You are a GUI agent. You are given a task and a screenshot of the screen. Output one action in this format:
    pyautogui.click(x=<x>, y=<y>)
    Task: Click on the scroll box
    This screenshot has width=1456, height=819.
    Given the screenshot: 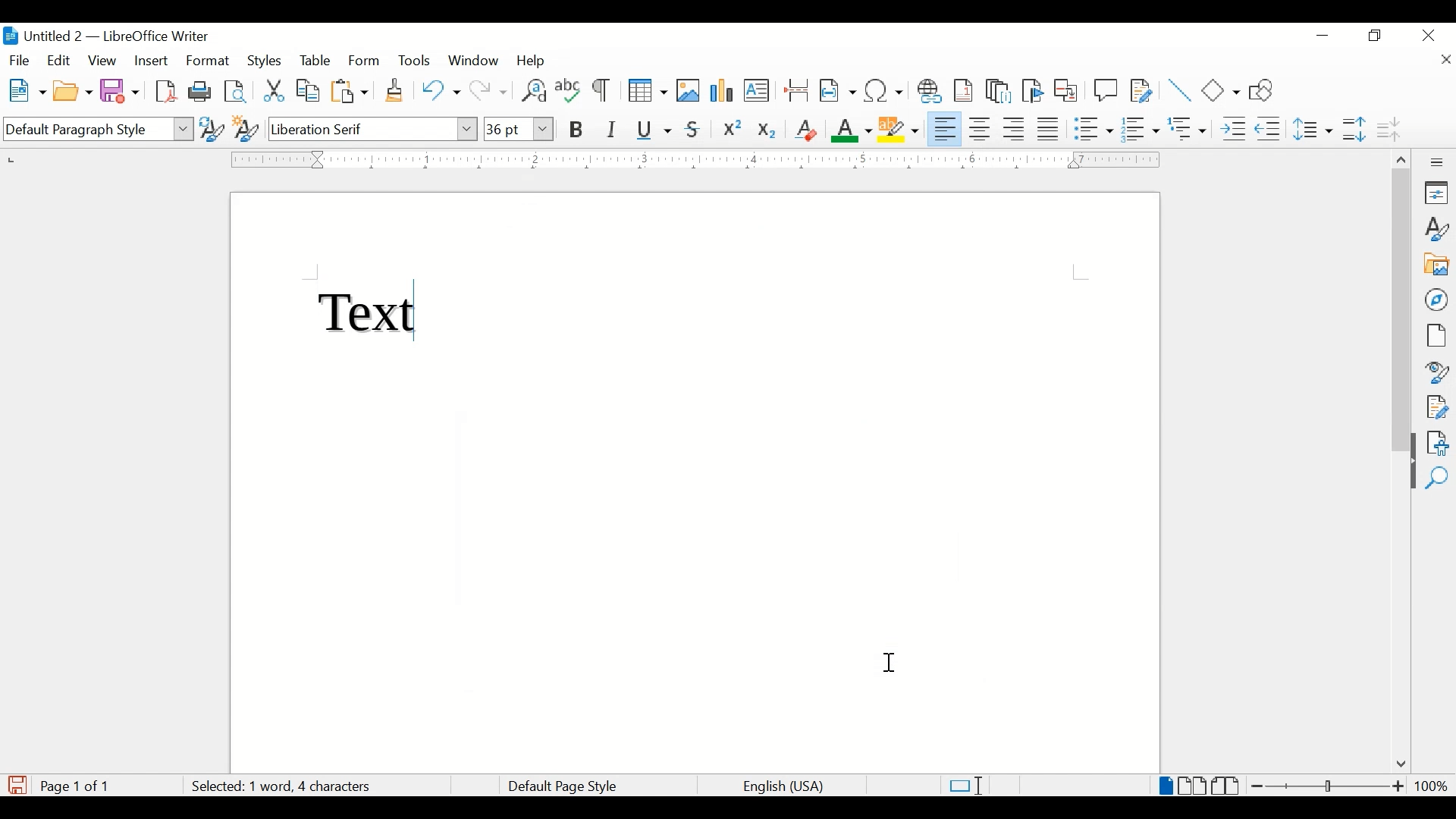 What is the action you would take?
    pyautogui.click(x=1401, y=312)
    